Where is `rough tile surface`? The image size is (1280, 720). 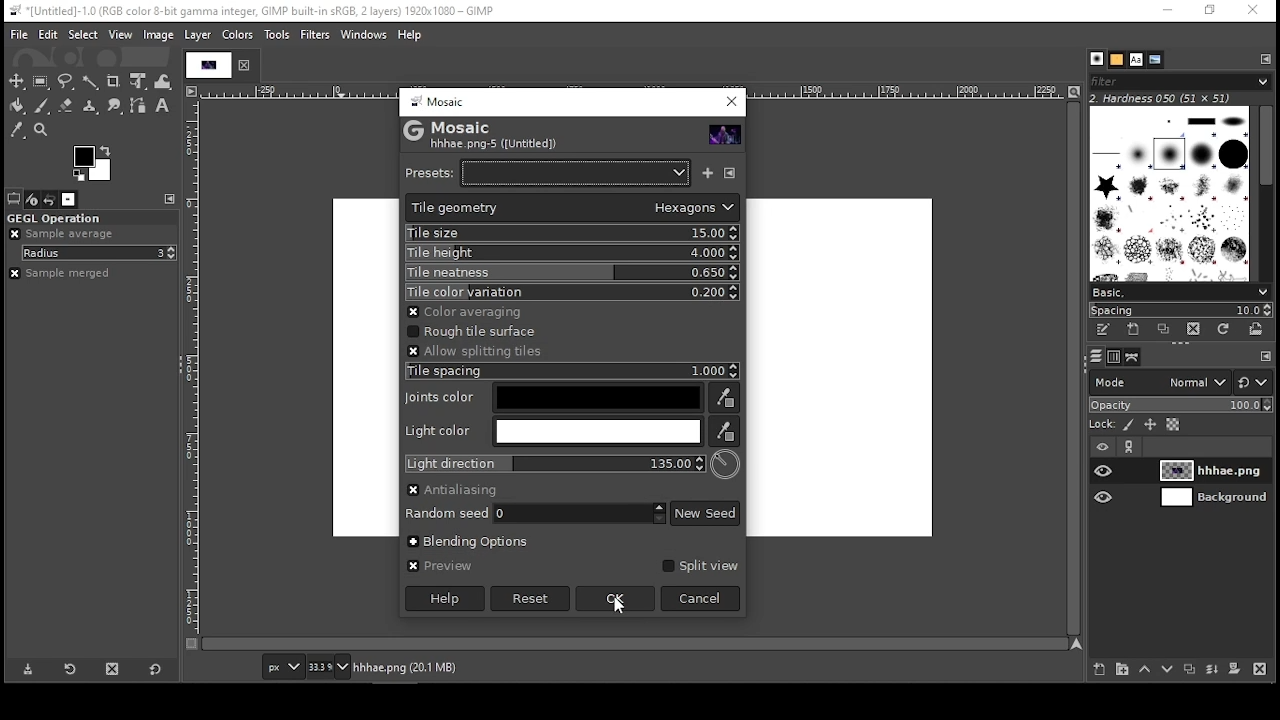 rough tile surface is located at coordinates (474, 332).